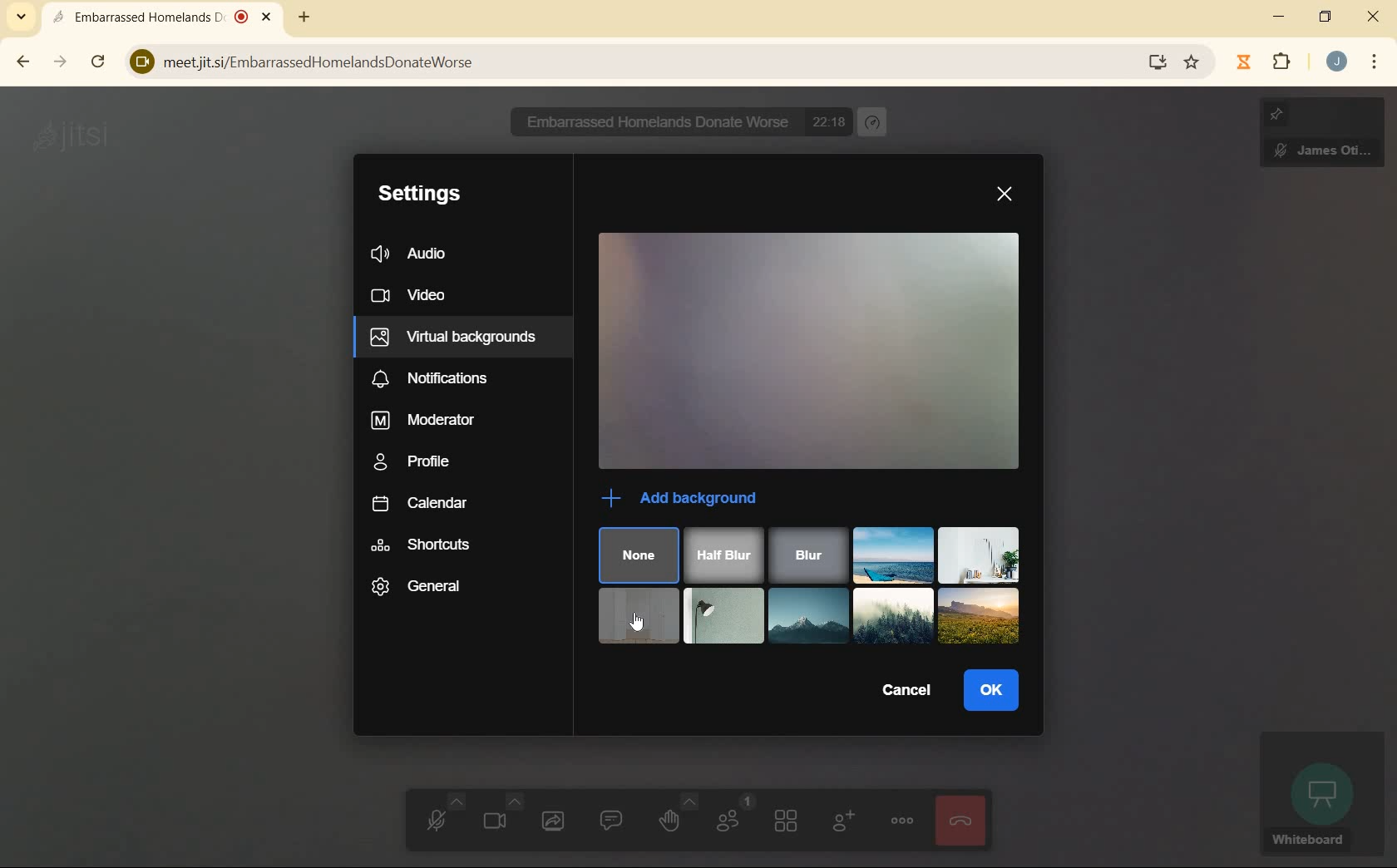 Image resolution: width=1397 pixels, height=868 pixels. Describe the element at coordinates (687, 497) in the screenshot. I see `add background` at that location.